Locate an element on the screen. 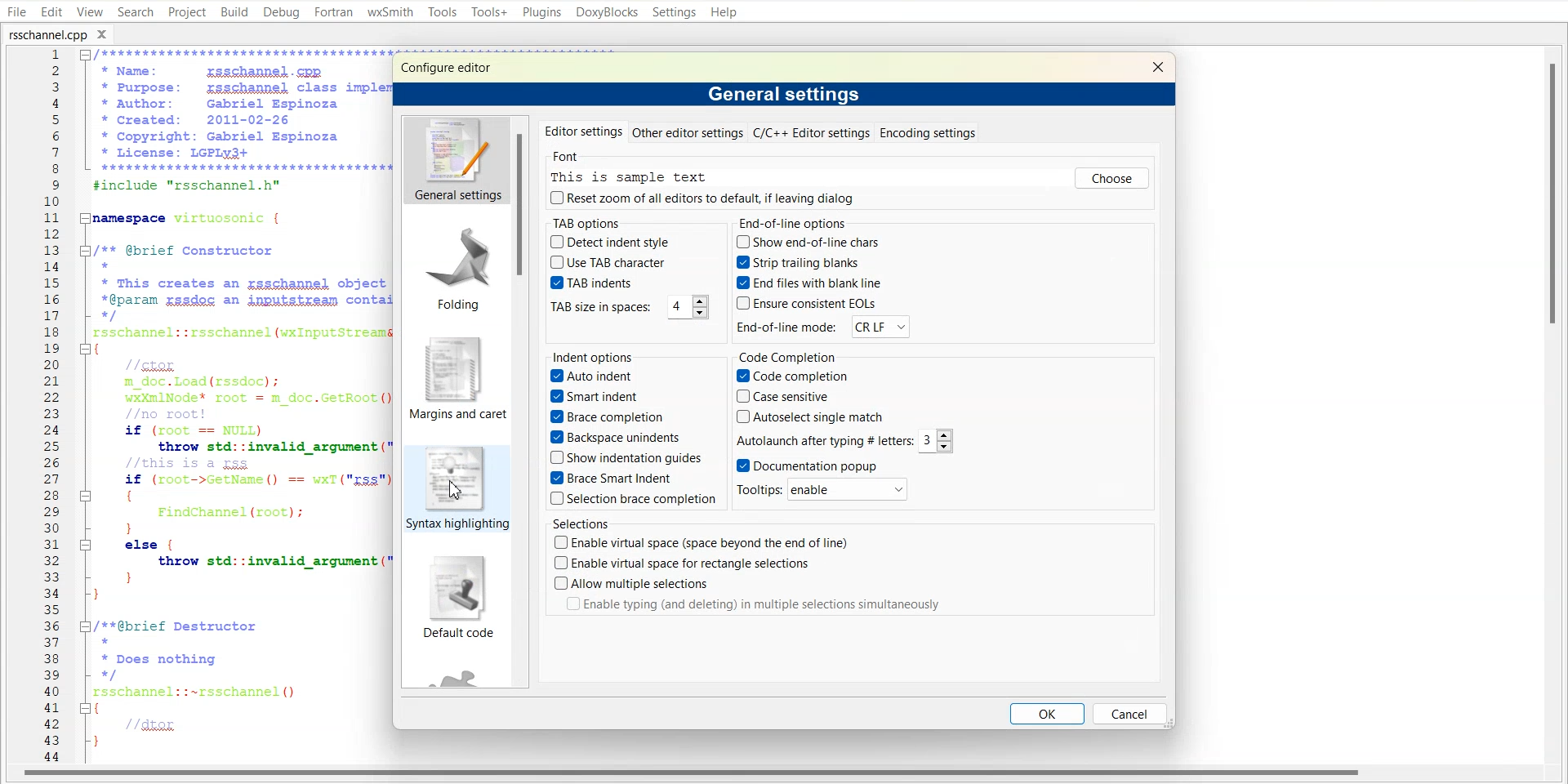  Show indentation guides is located at coordinates (627, 457).